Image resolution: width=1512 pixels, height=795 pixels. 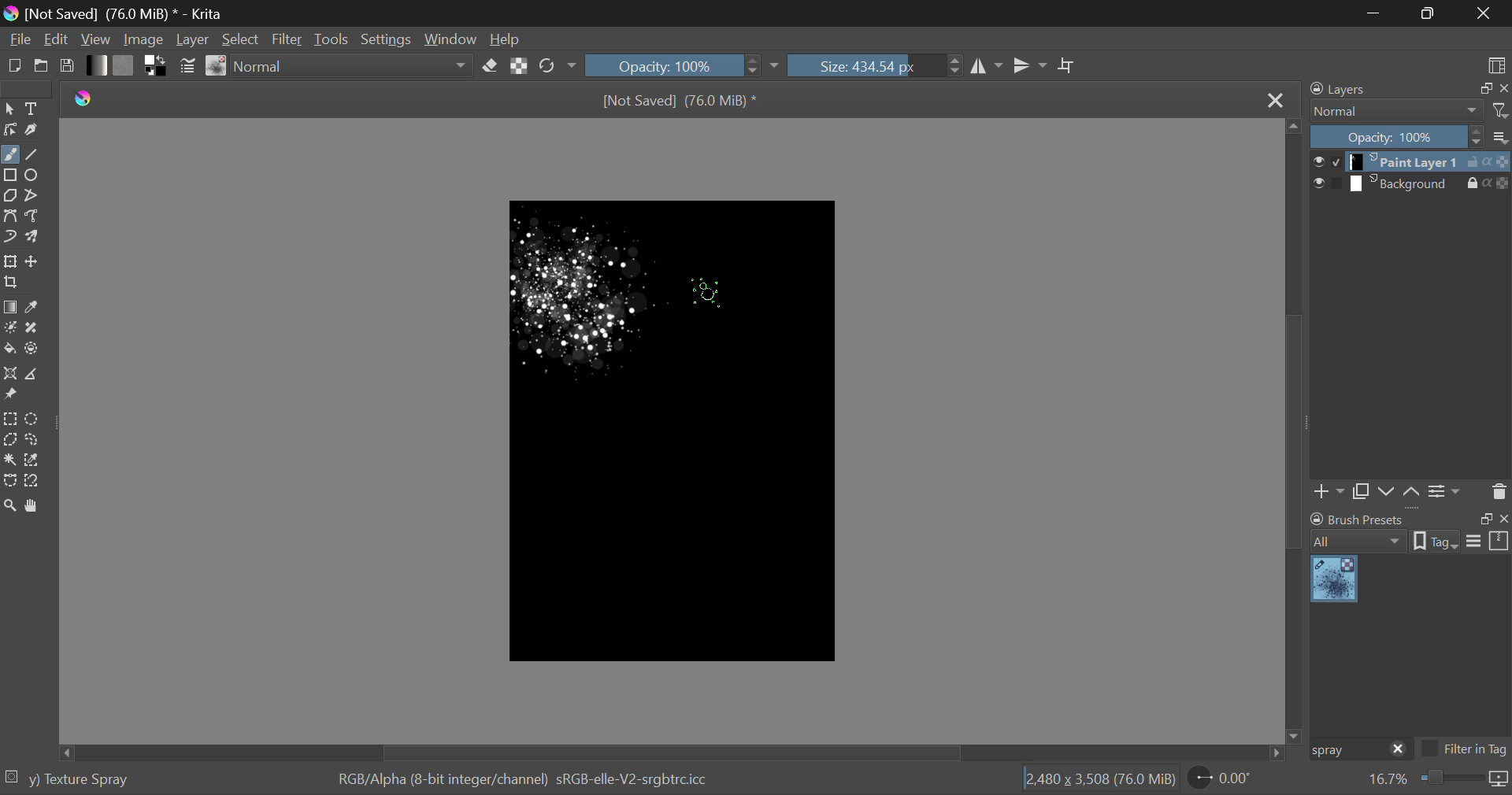 I want to click on Bezier Curve, so click(x=9, y=215).